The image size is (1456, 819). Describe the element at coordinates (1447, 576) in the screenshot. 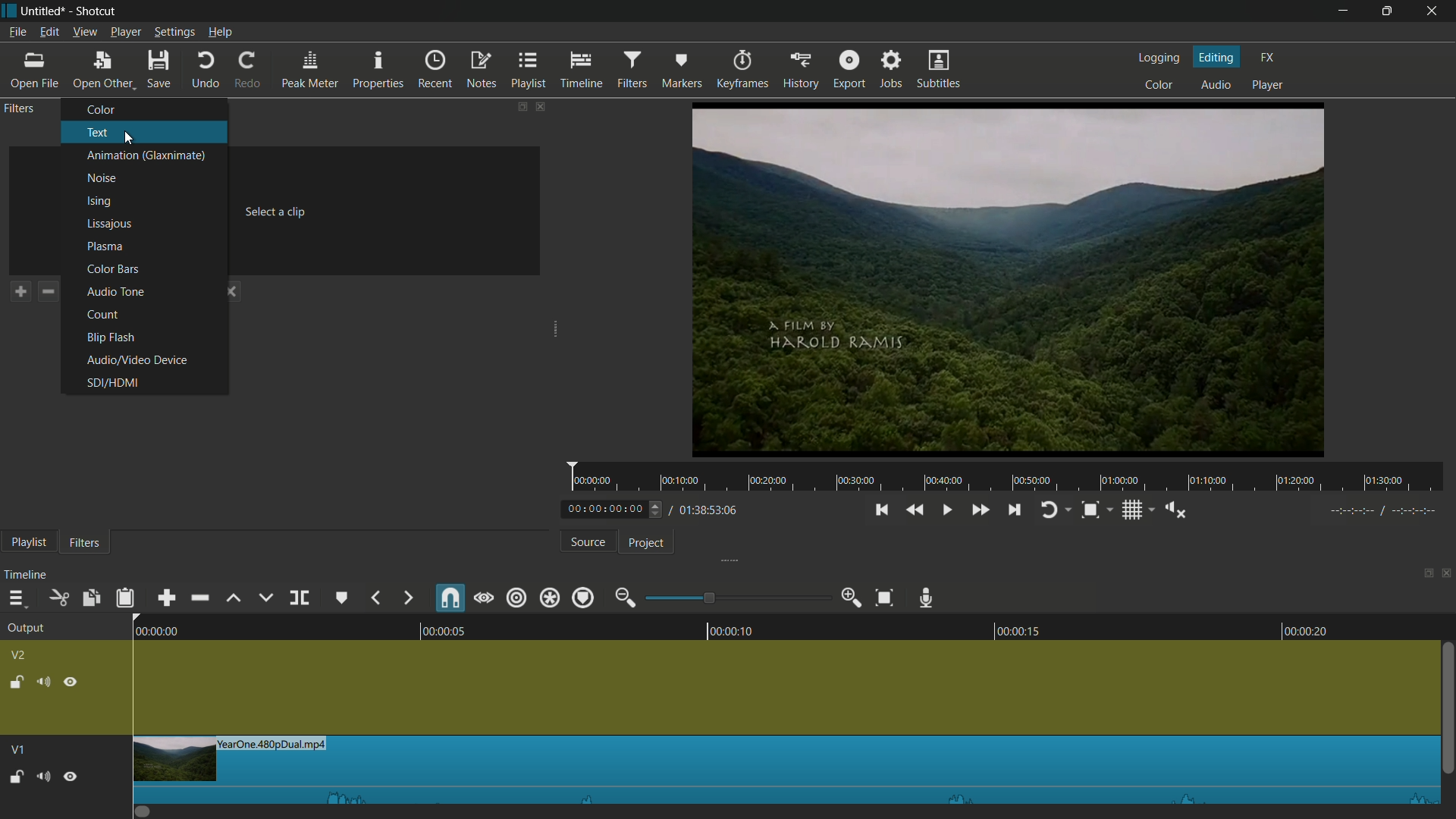

I see `close timeline` at that location.